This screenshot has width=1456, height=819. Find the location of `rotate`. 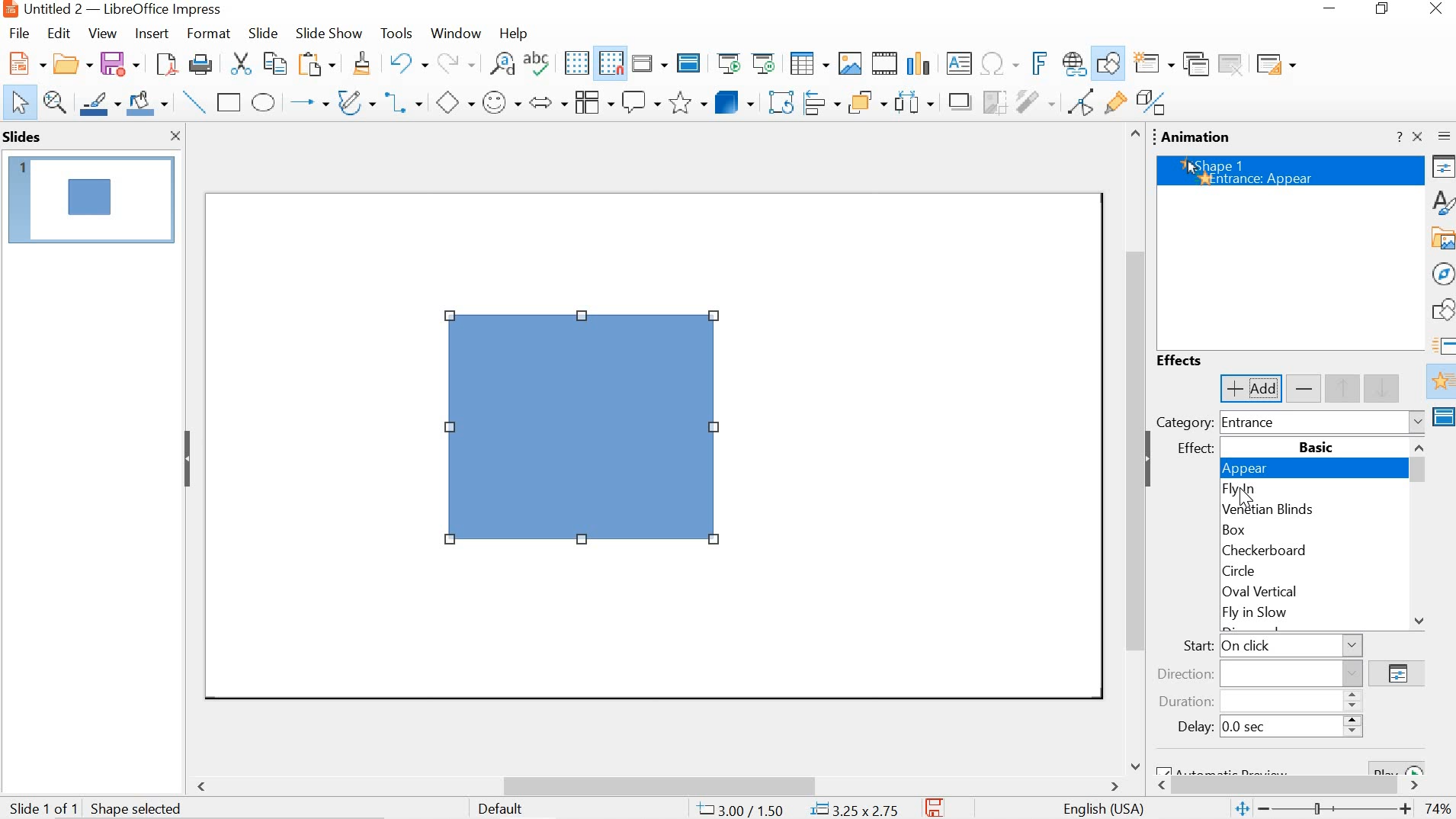

rotate is located at coordinates (780, 99).